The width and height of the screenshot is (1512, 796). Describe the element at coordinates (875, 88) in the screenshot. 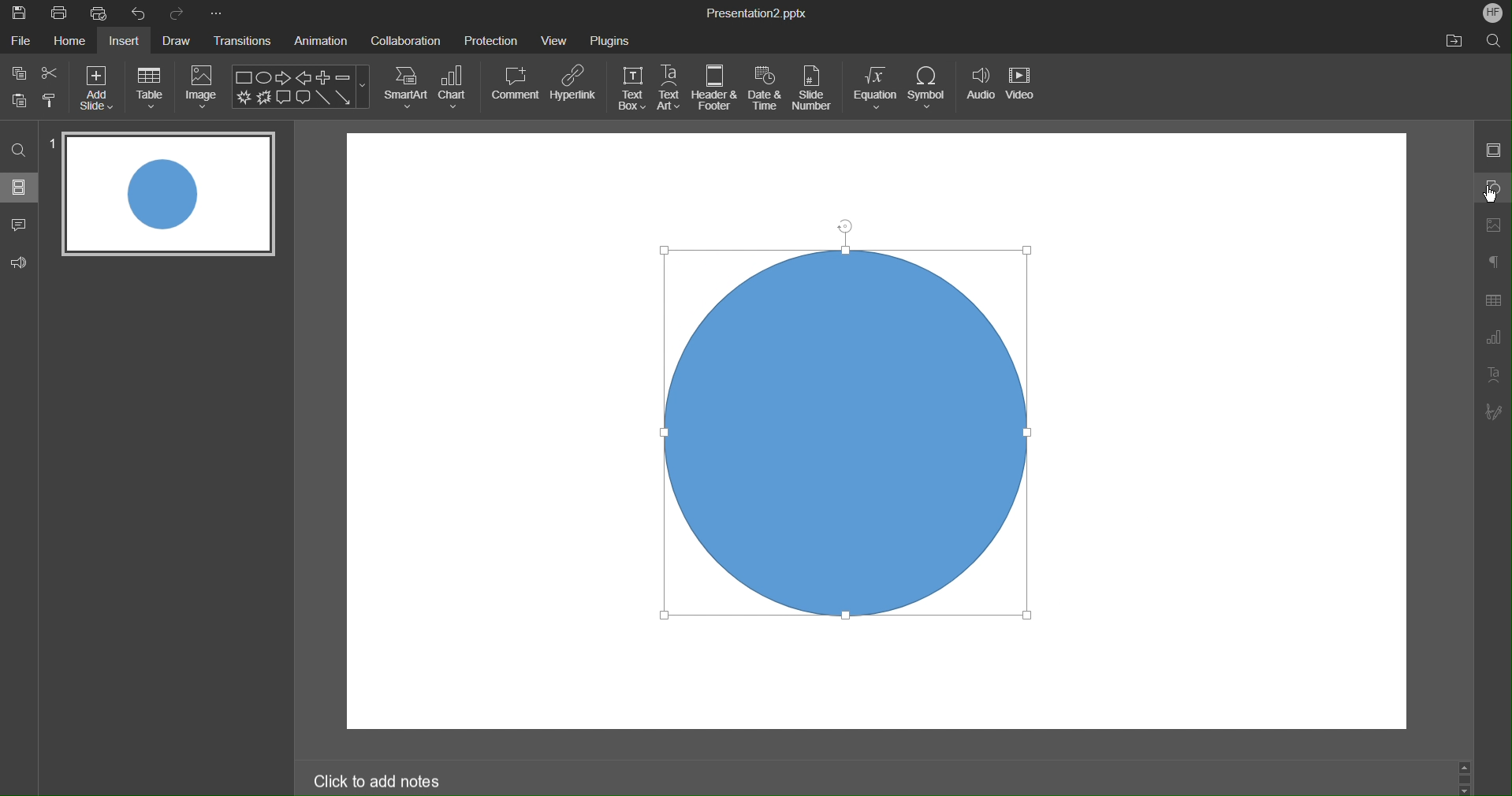

I see `Equation` at that location.